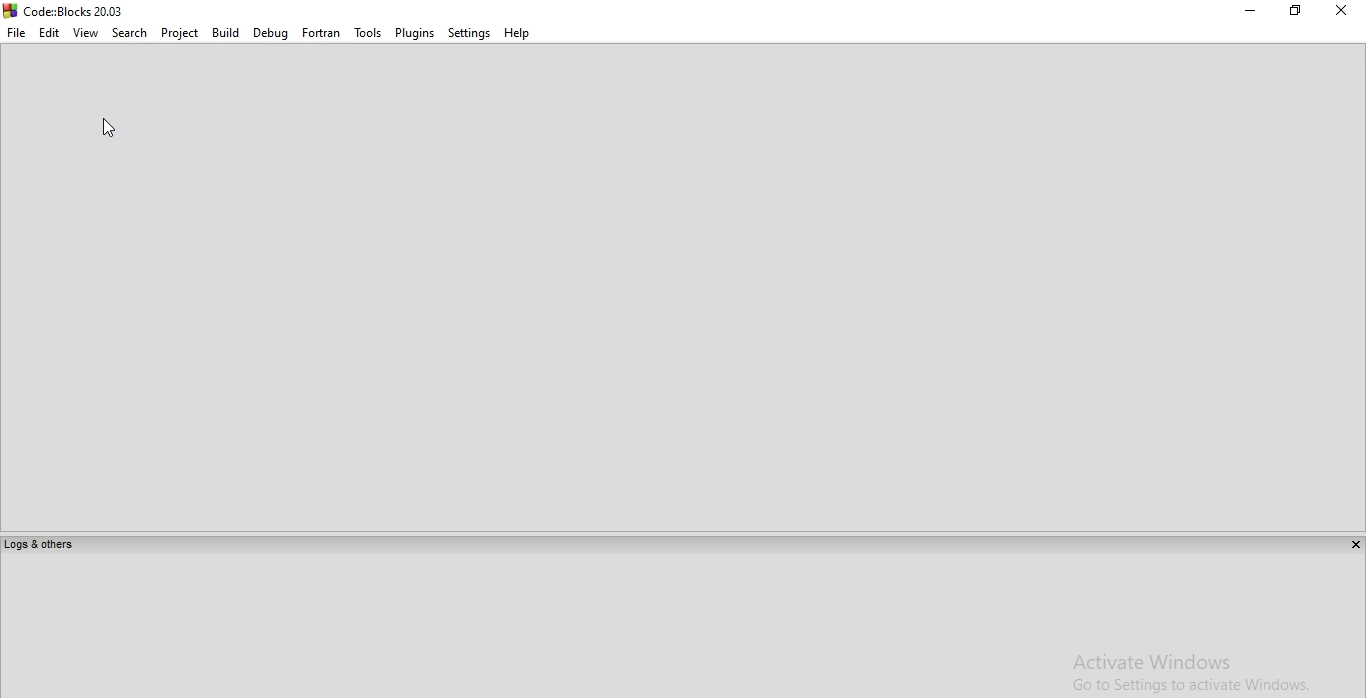 Image resolution: width=1366 pixels, height=698 pixels. What do you see at coordinates (1342, 11) in the screenshot?
I see `Close` at bounding box center [1342, 11].